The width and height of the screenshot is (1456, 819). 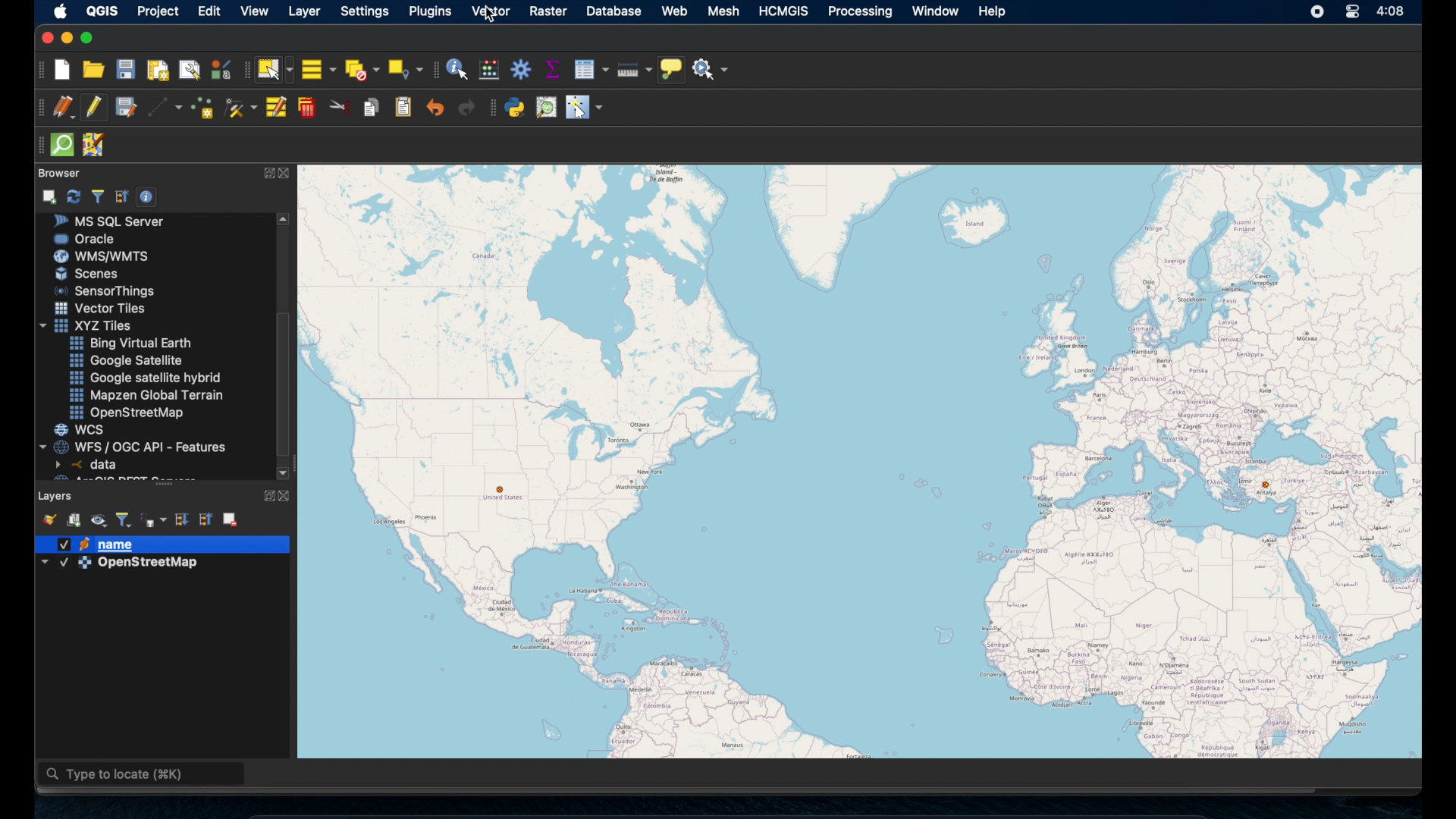 I want to click on quicksom, so click(x=63, y=145).